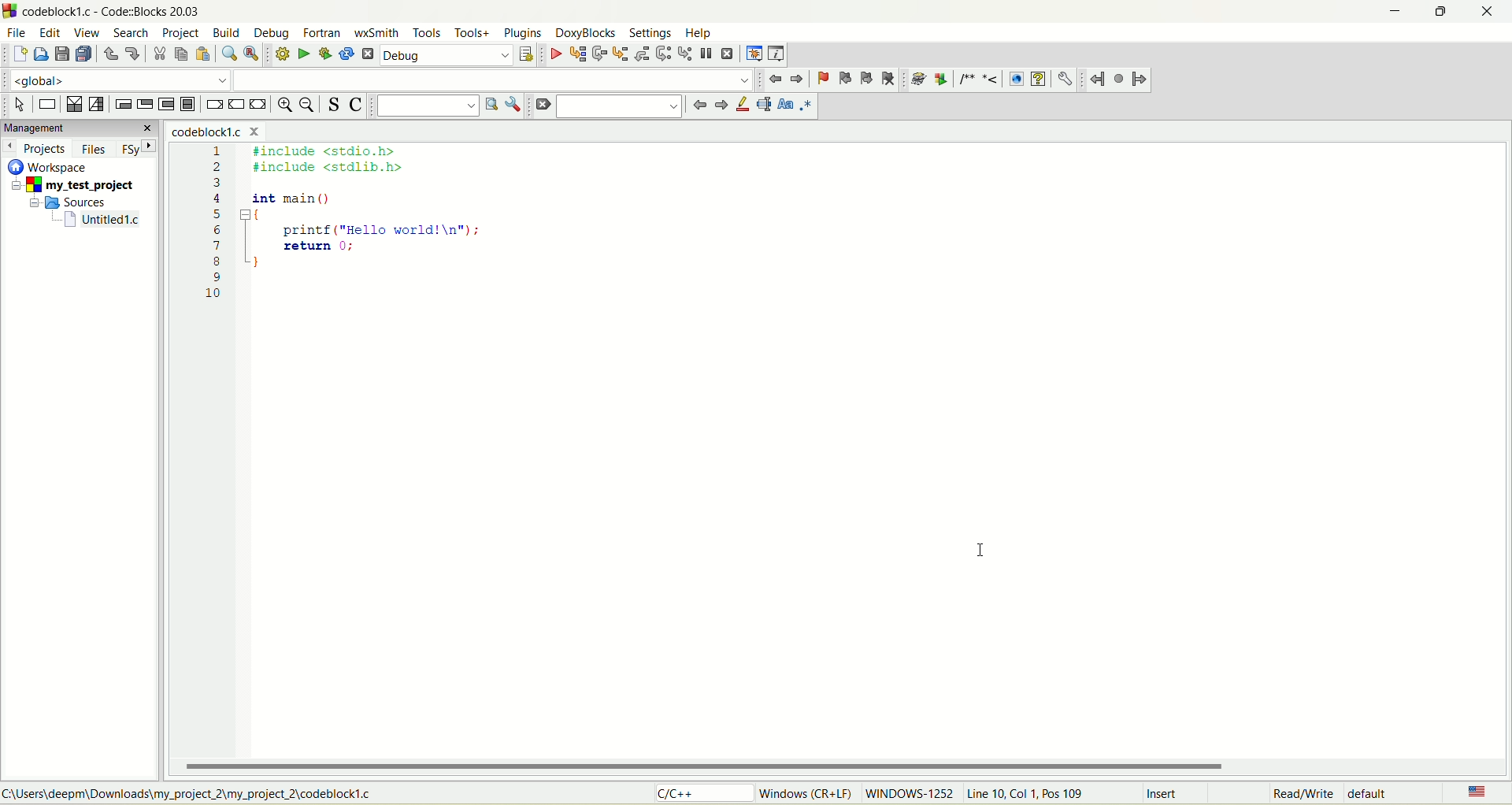 This screenshot has width=1512, height=805. What do you see at coordinates (1027, 794) in the screenshot?
I see `line, col, pos` at bounding box center [1027, 794].